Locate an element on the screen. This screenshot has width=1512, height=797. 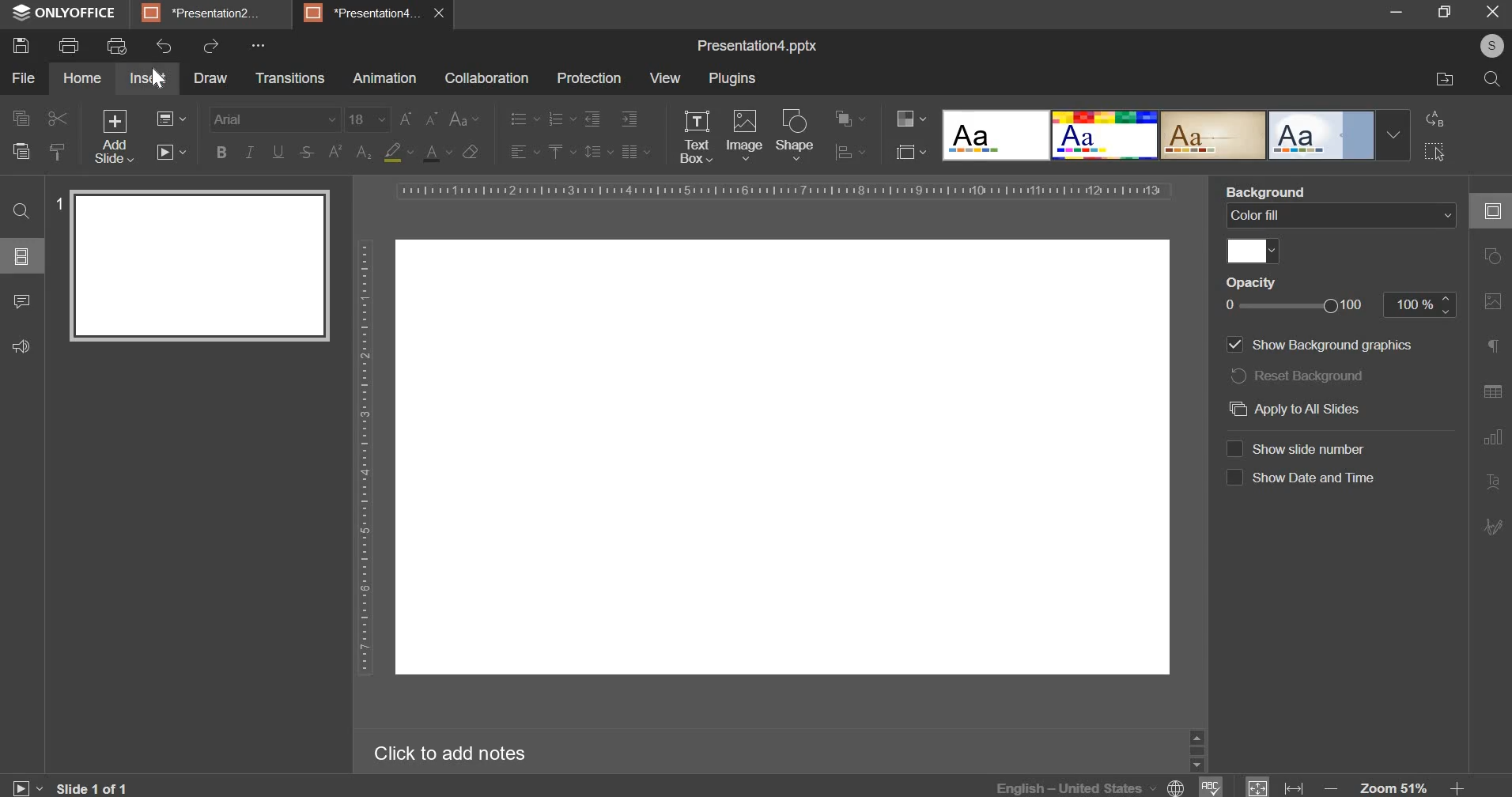
background is located at coordinates (1261, 191).